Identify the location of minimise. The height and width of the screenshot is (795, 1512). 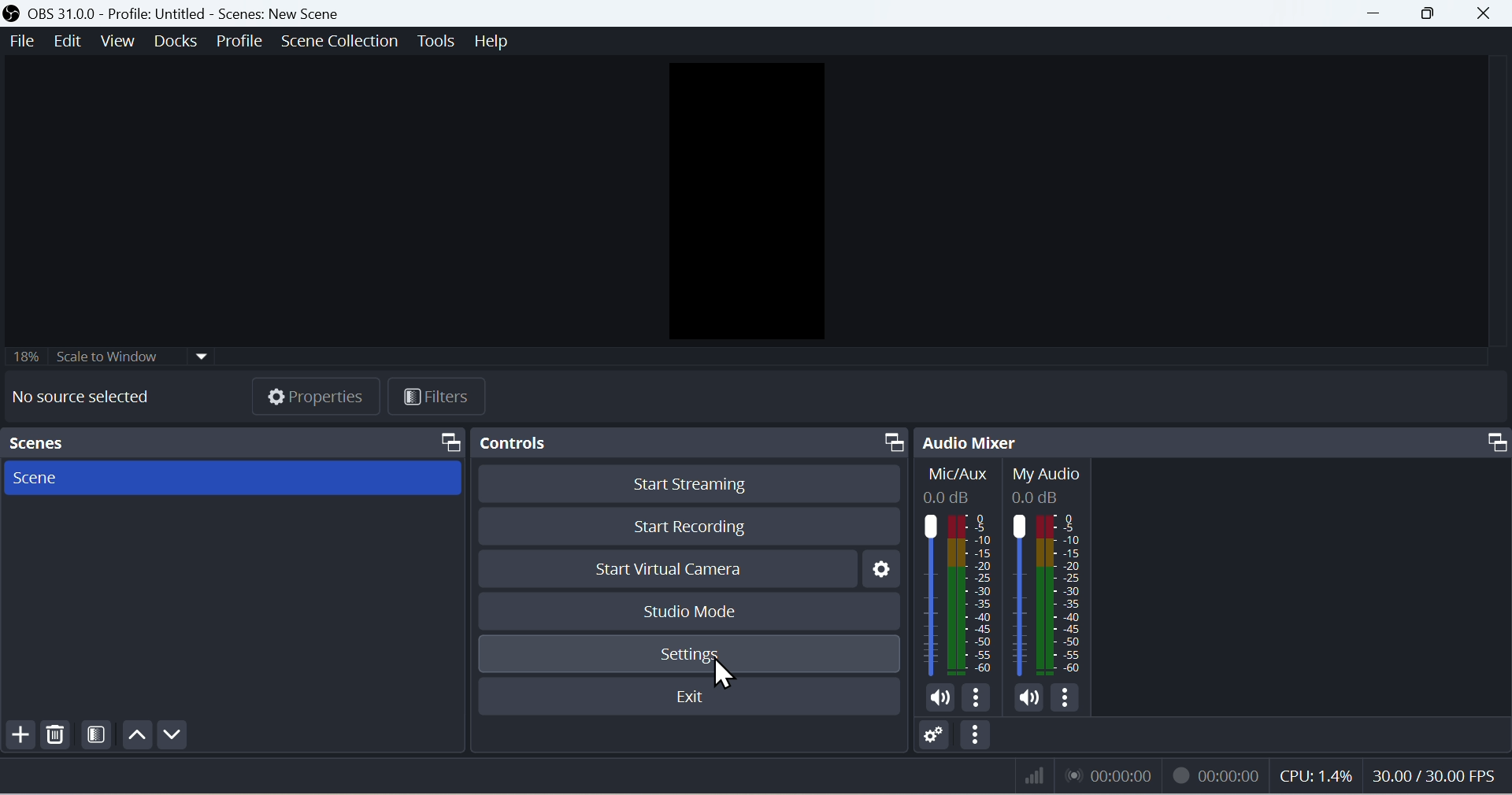
(1373, 15).